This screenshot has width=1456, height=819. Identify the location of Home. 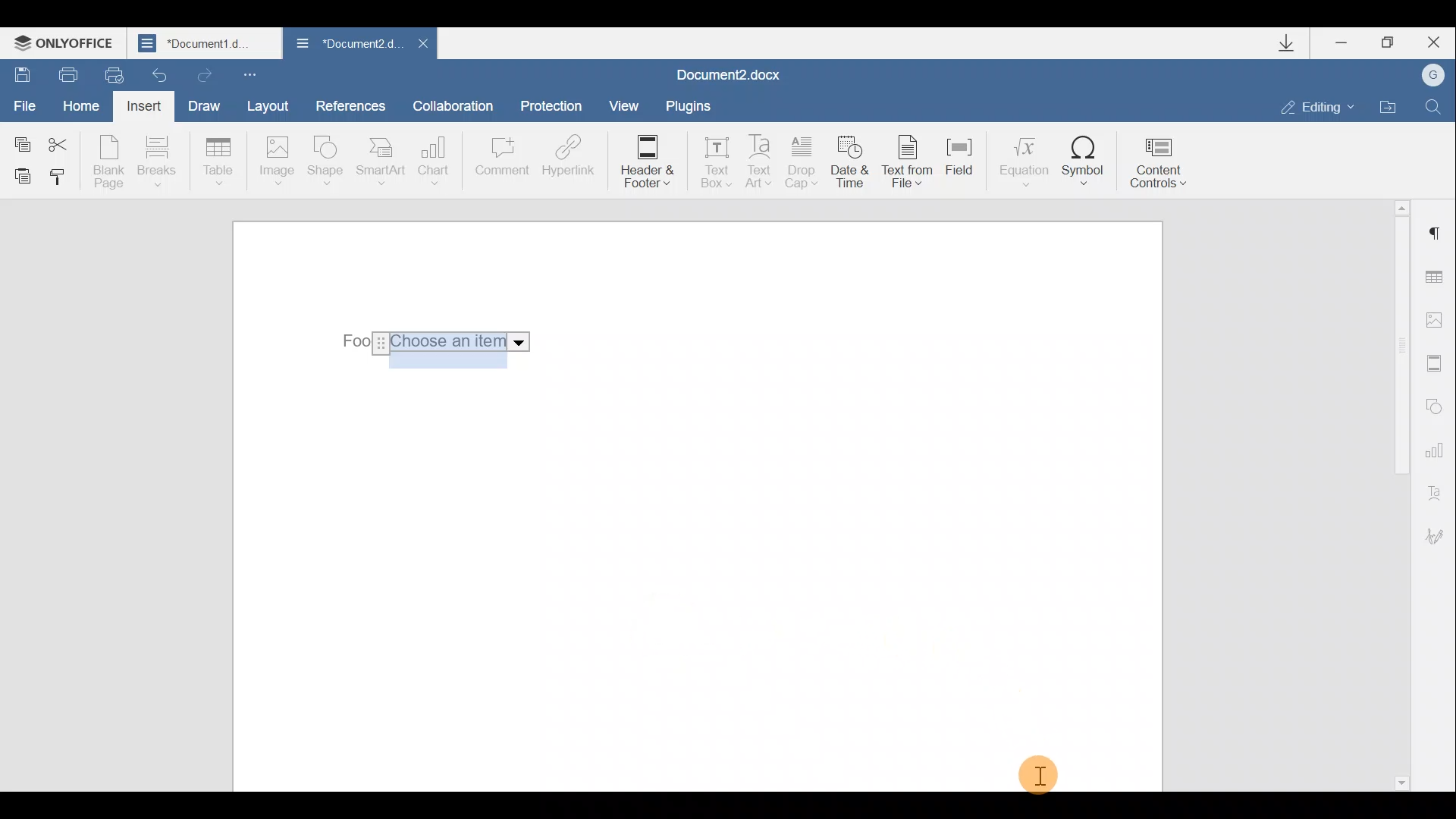
(86, 108).